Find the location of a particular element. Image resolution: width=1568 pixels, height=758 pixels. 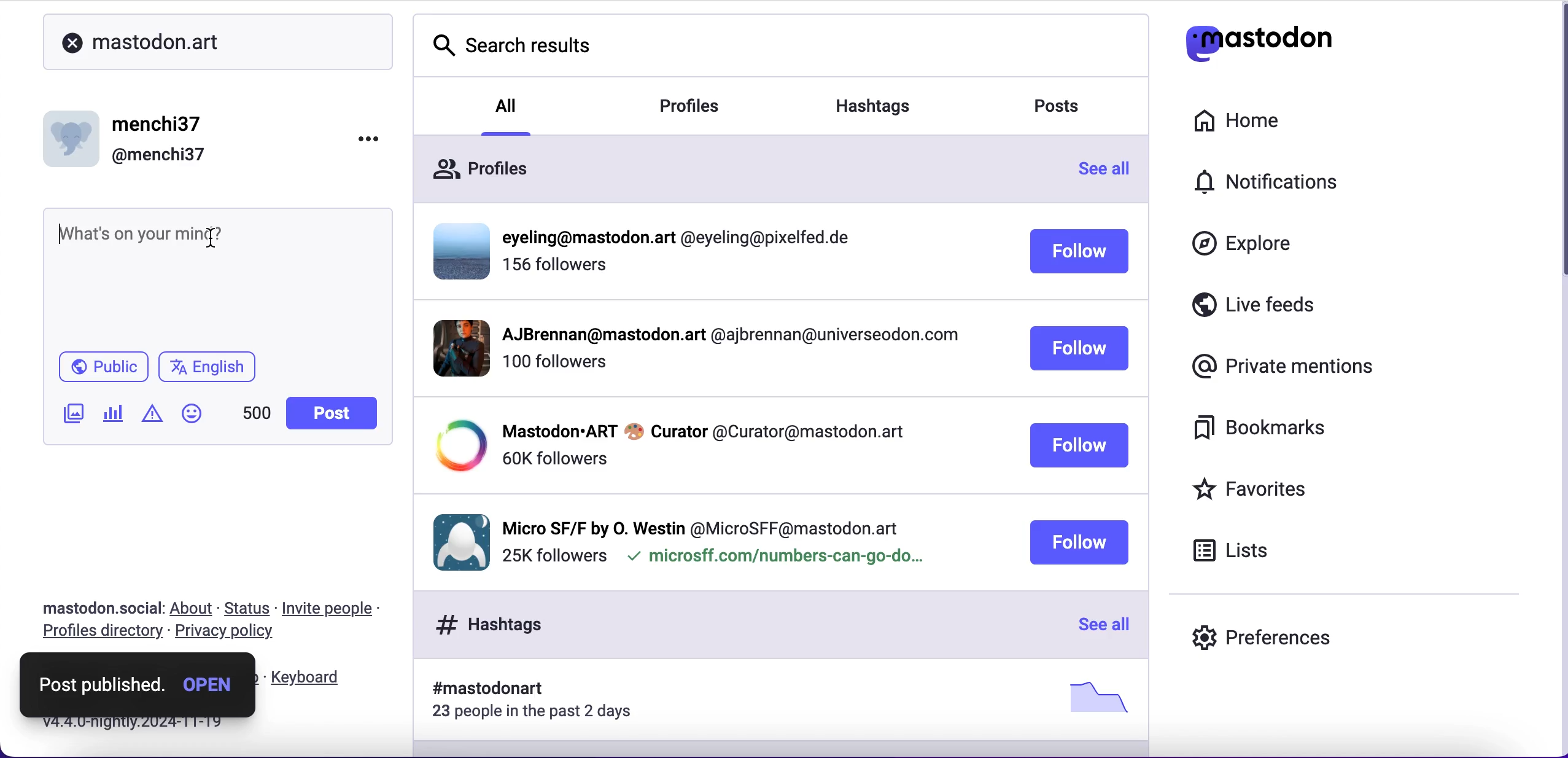

picture is located at coordinates (1093, 697).